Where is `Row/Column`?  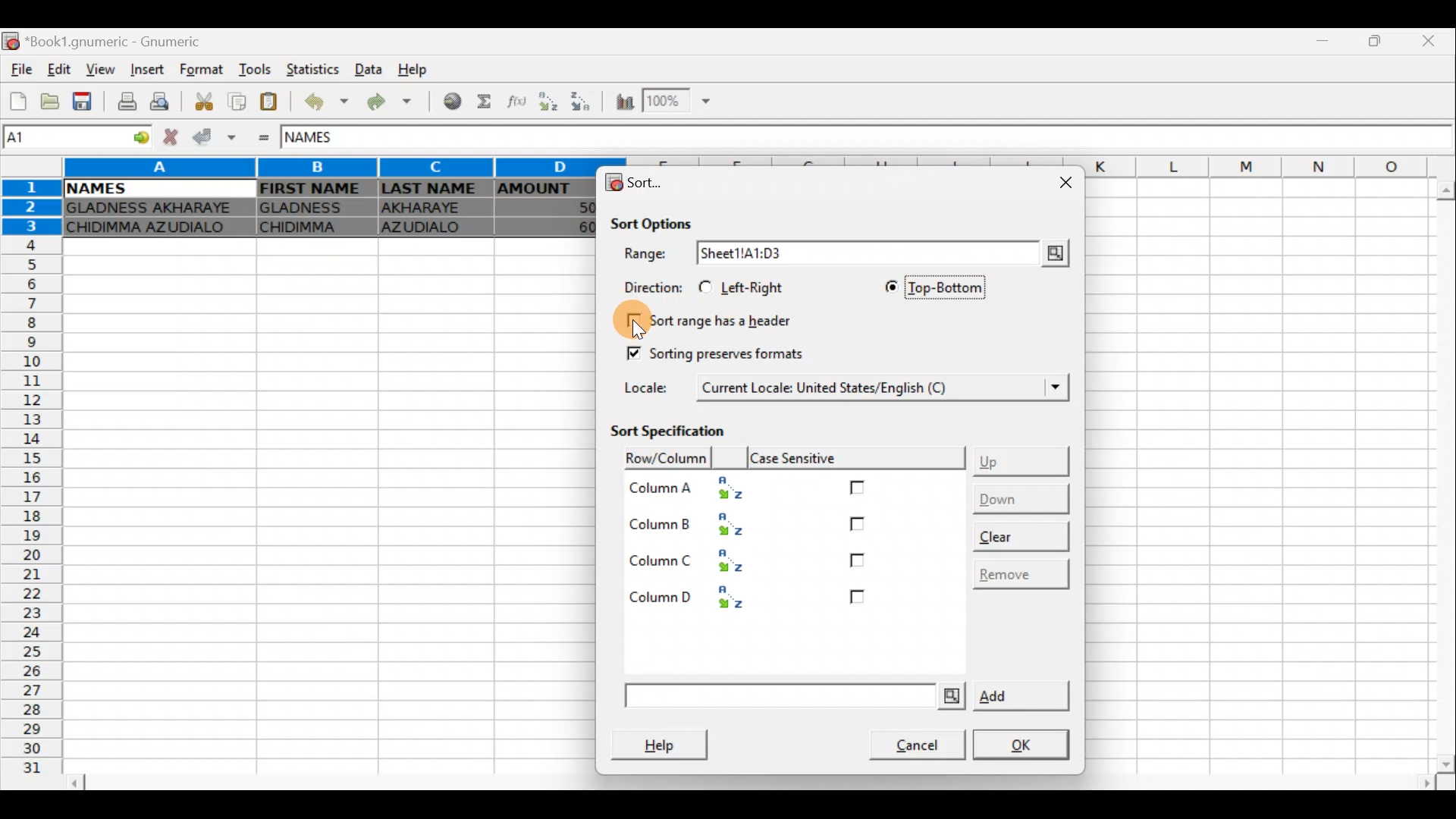
Row/Column is located at coordinates (660, 457).